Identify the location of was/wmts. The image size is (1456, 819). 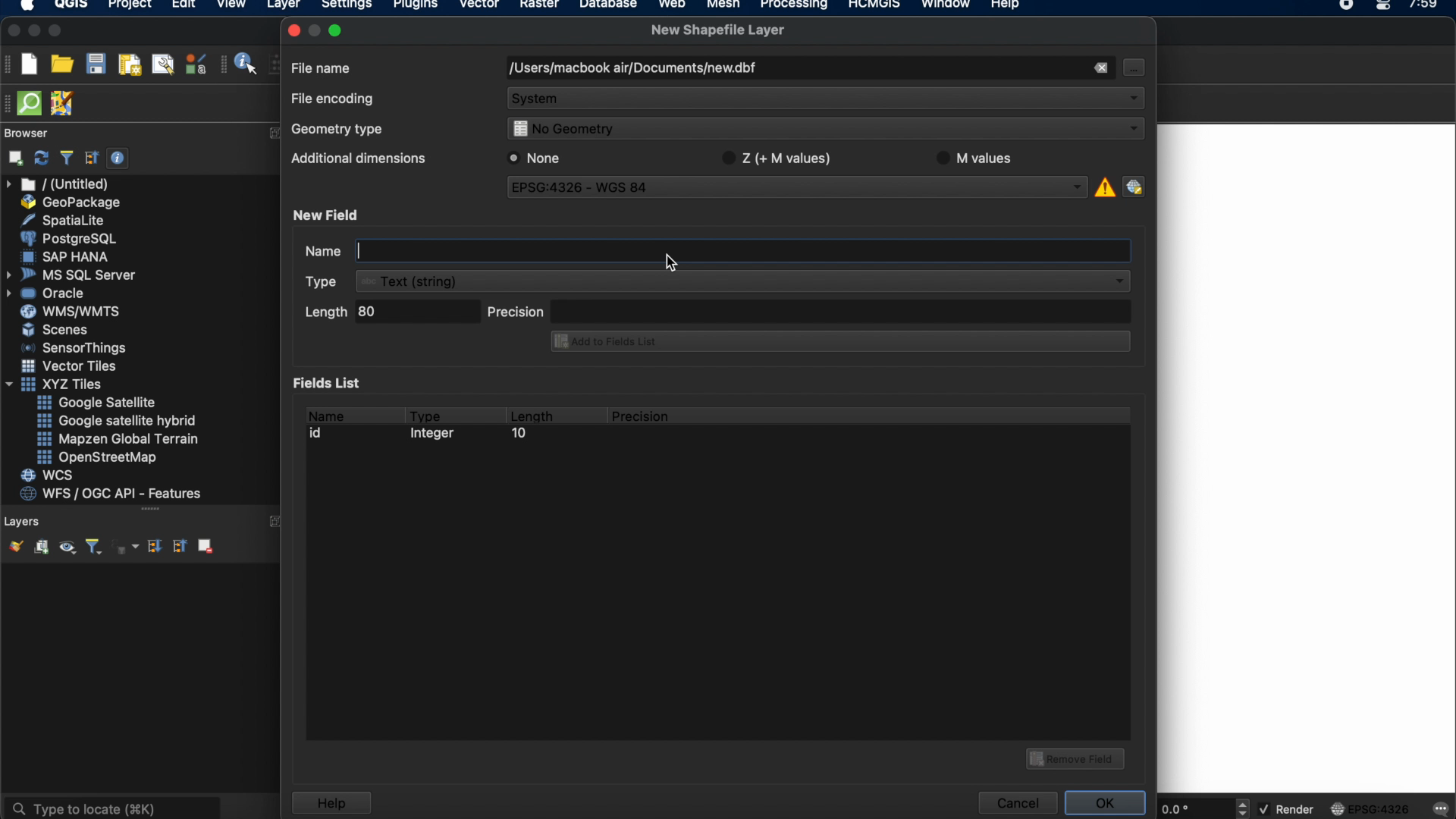
(72, 312).